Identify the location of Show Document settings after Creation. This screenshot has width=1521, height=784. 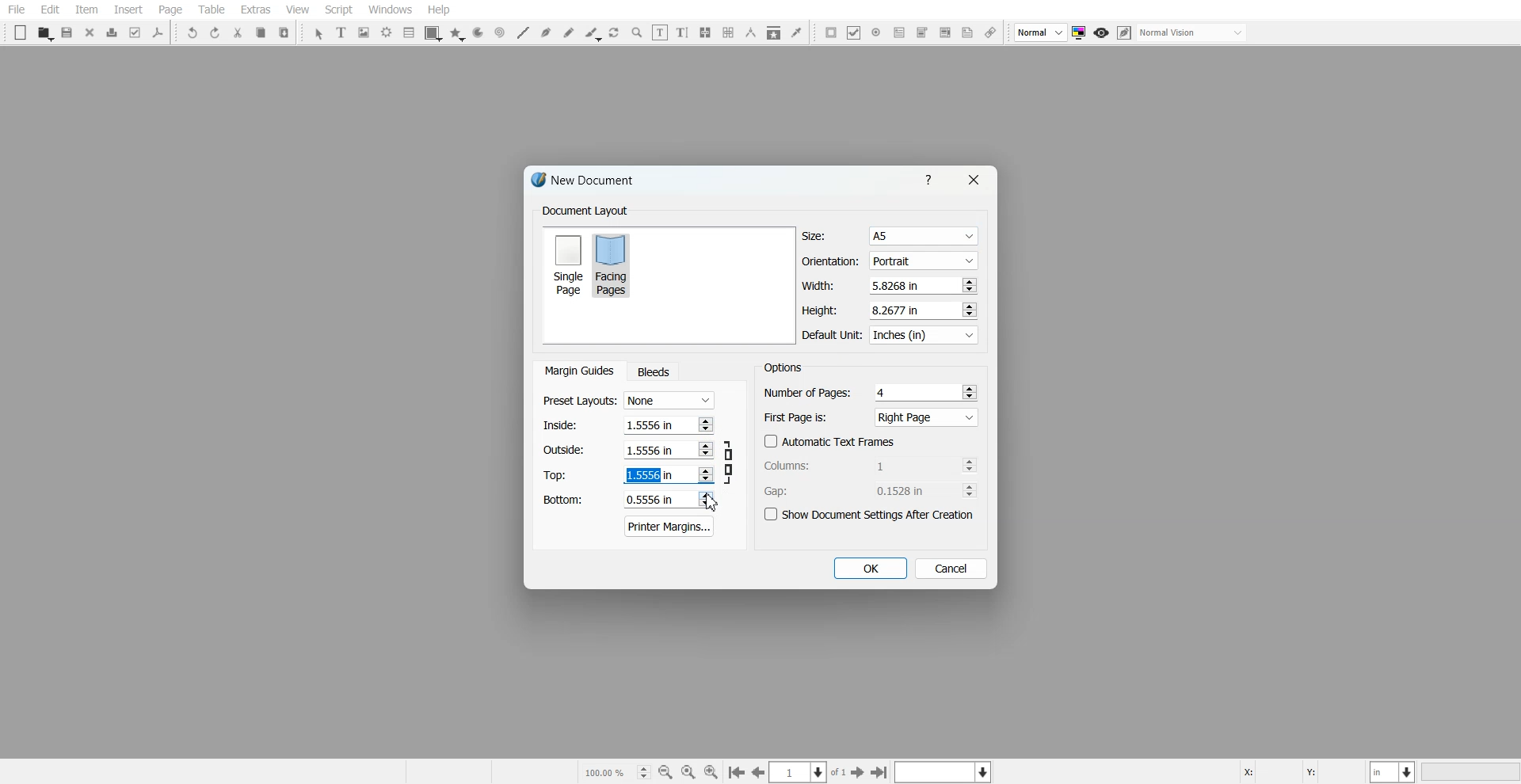
(871, 515).